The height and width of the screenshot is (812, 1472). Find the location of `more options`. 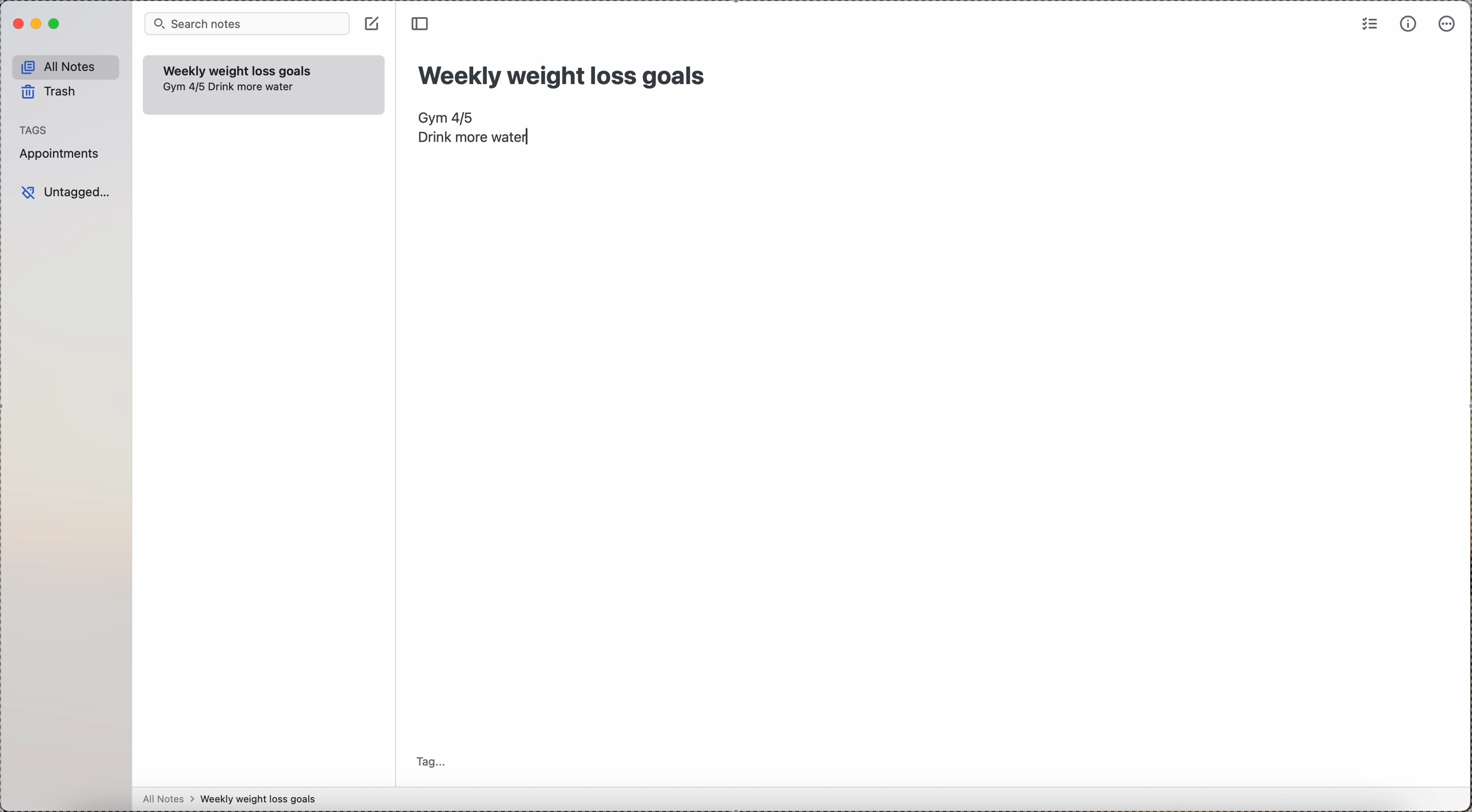

more options is located at coordinates (1449, 23).